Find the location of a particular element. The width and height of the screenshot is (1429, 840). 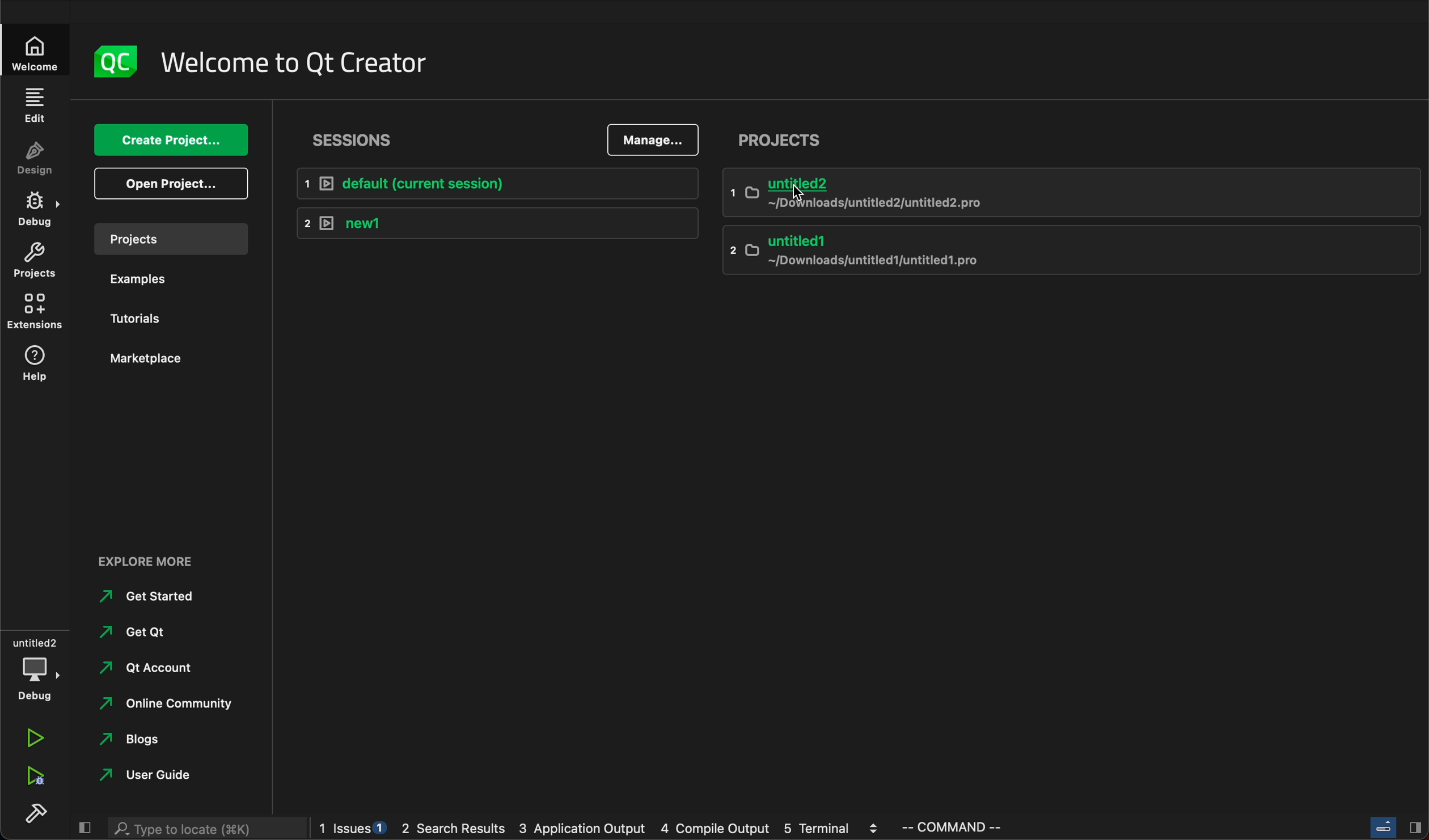

get qt is located at coordinates (155, 631).